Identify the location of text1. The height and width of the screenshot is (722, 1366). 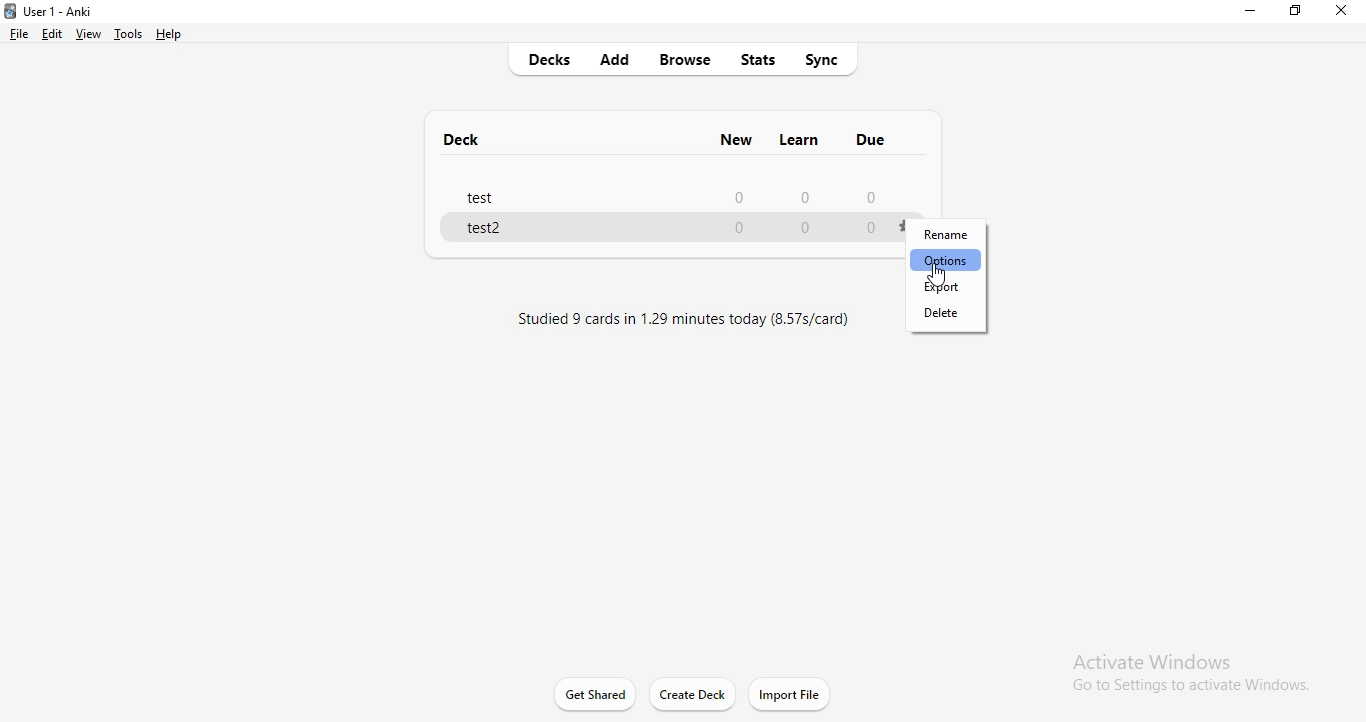
(702, 324).